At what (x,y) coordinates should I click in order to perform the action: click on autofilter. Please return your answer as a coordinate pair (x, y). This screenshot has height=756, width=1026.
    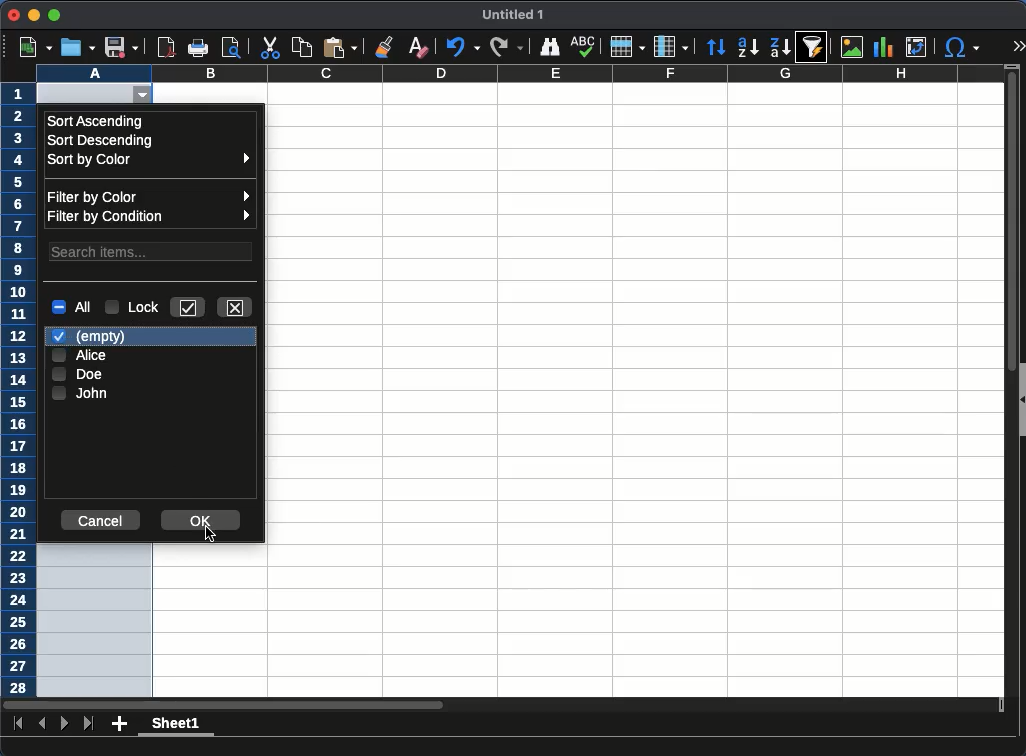
    Looking at the image, I should click on (813, 46).